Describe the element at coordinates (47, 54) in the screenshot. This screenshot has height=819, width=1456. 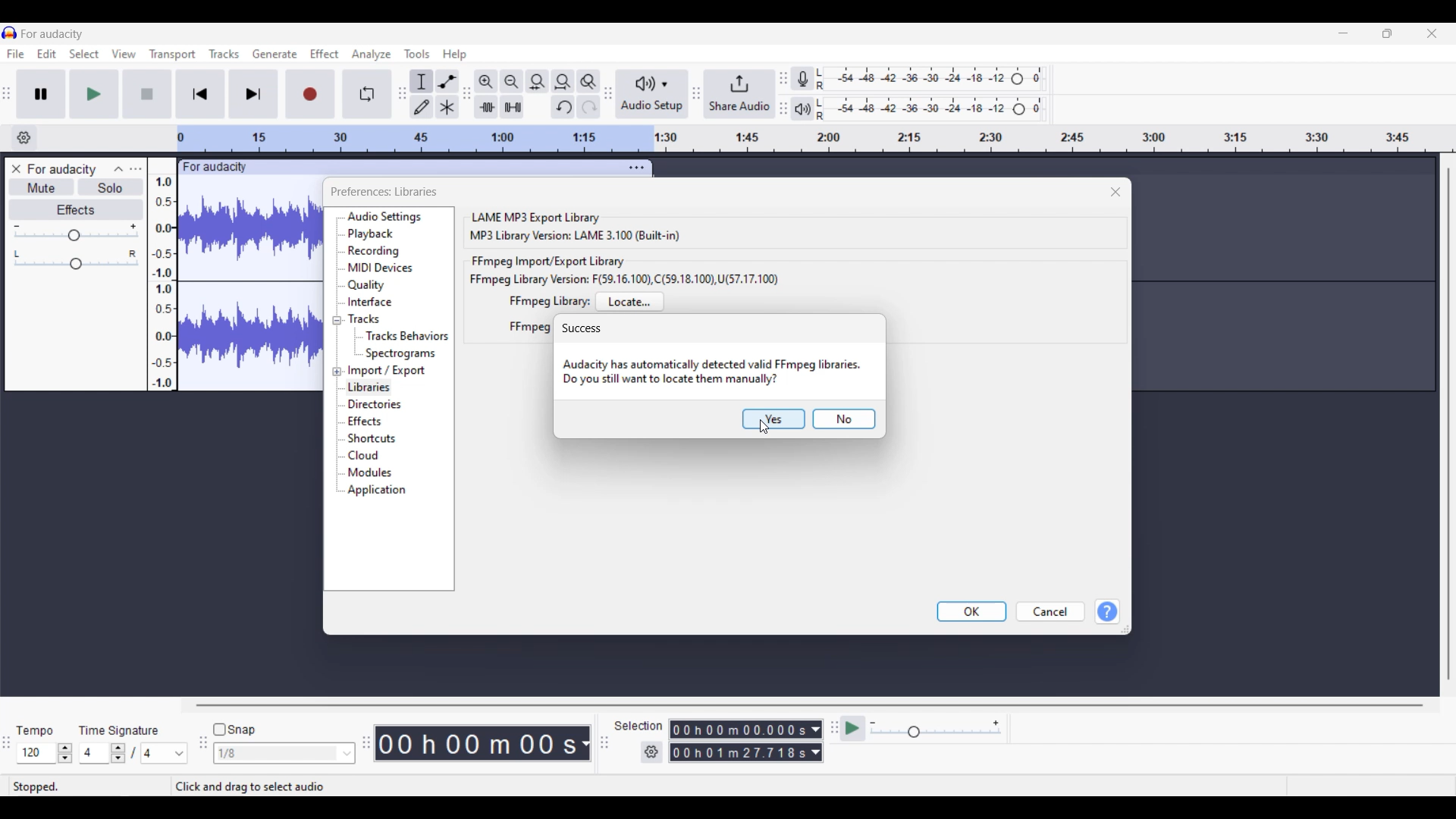
I see `Edit menu` at that location.